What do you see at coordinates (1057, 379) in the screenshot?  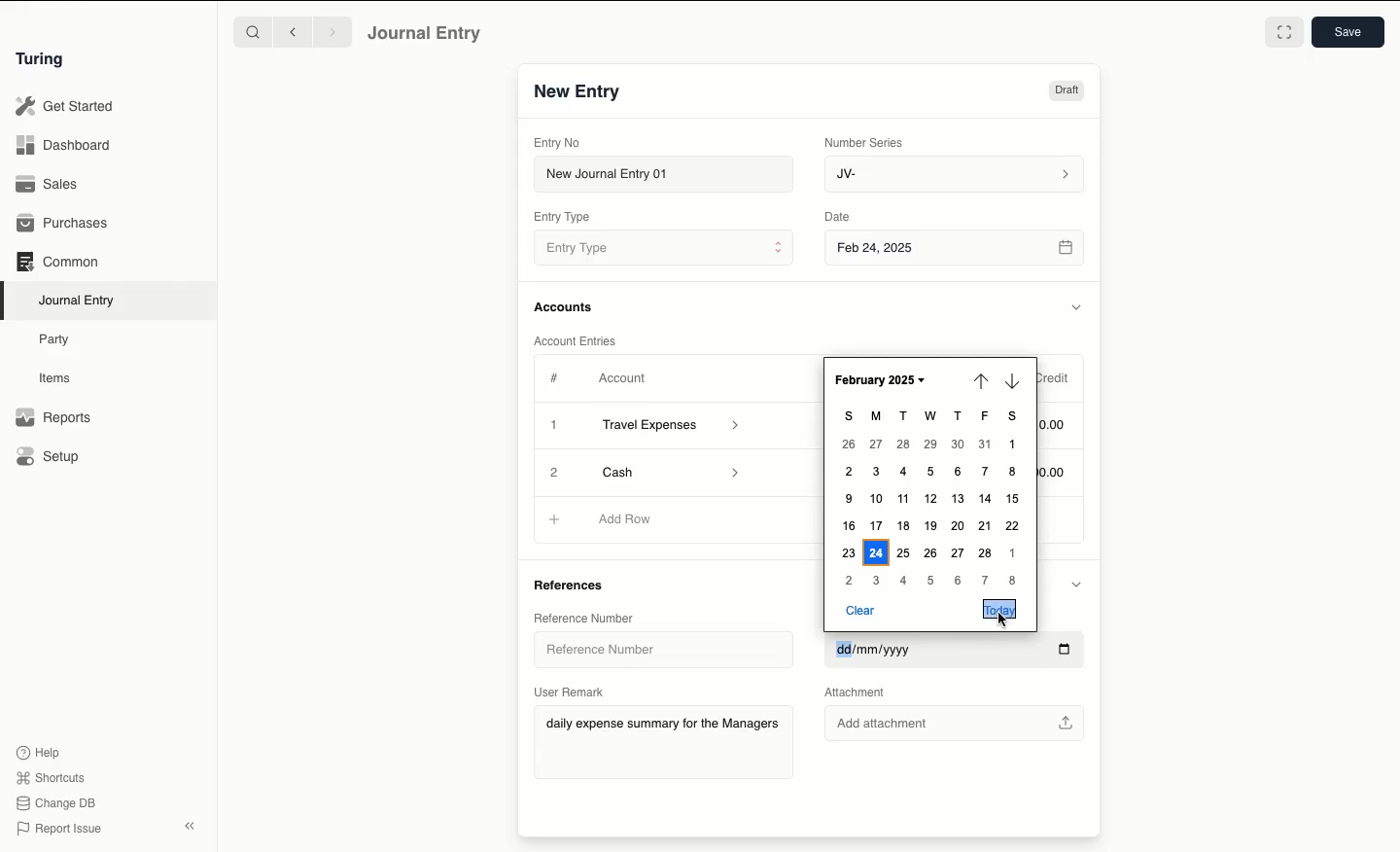 I see `Credit` at bounding box center [1057, 379].